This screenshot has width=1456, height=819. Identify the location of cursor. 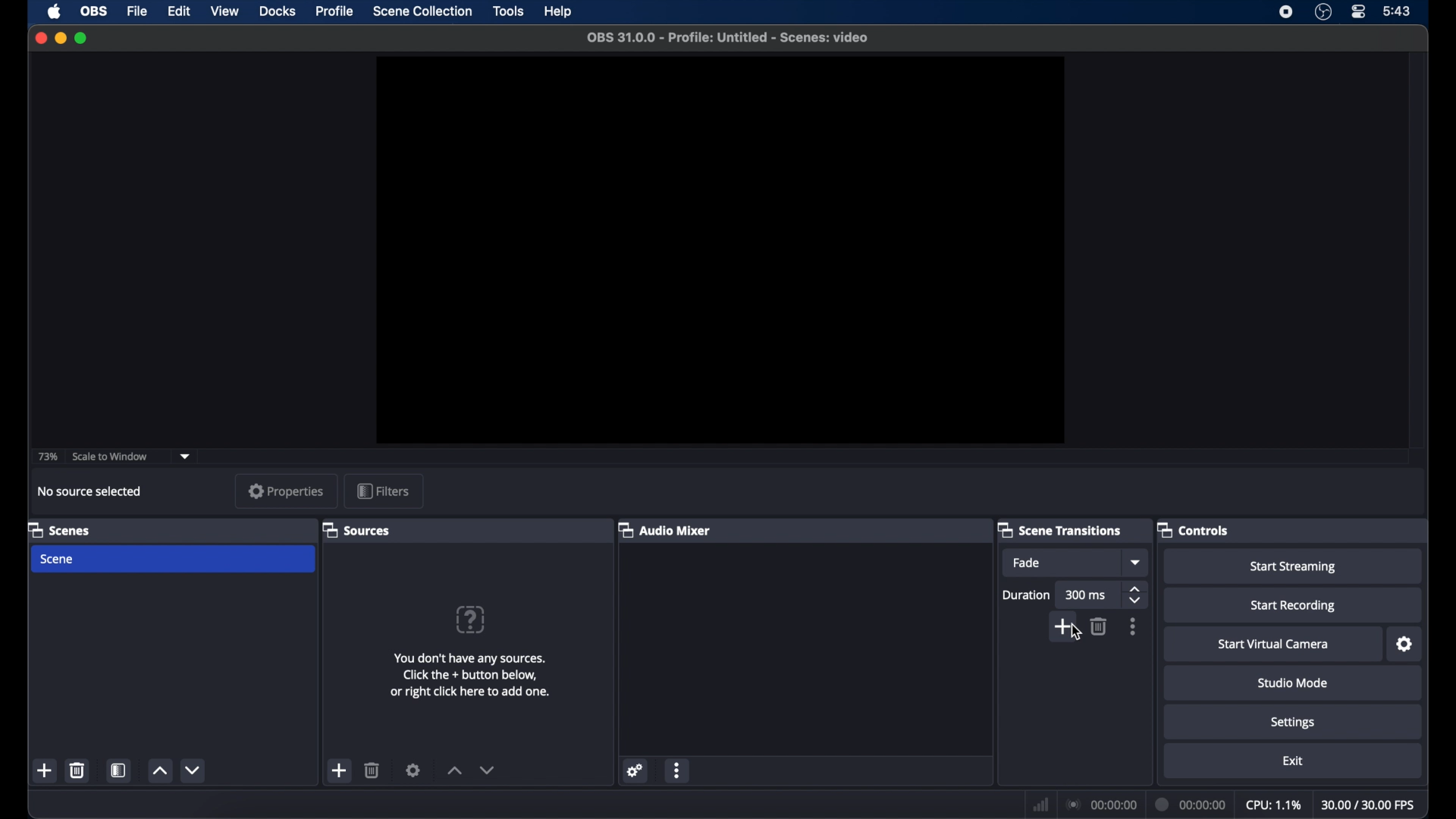
(1076, 634).